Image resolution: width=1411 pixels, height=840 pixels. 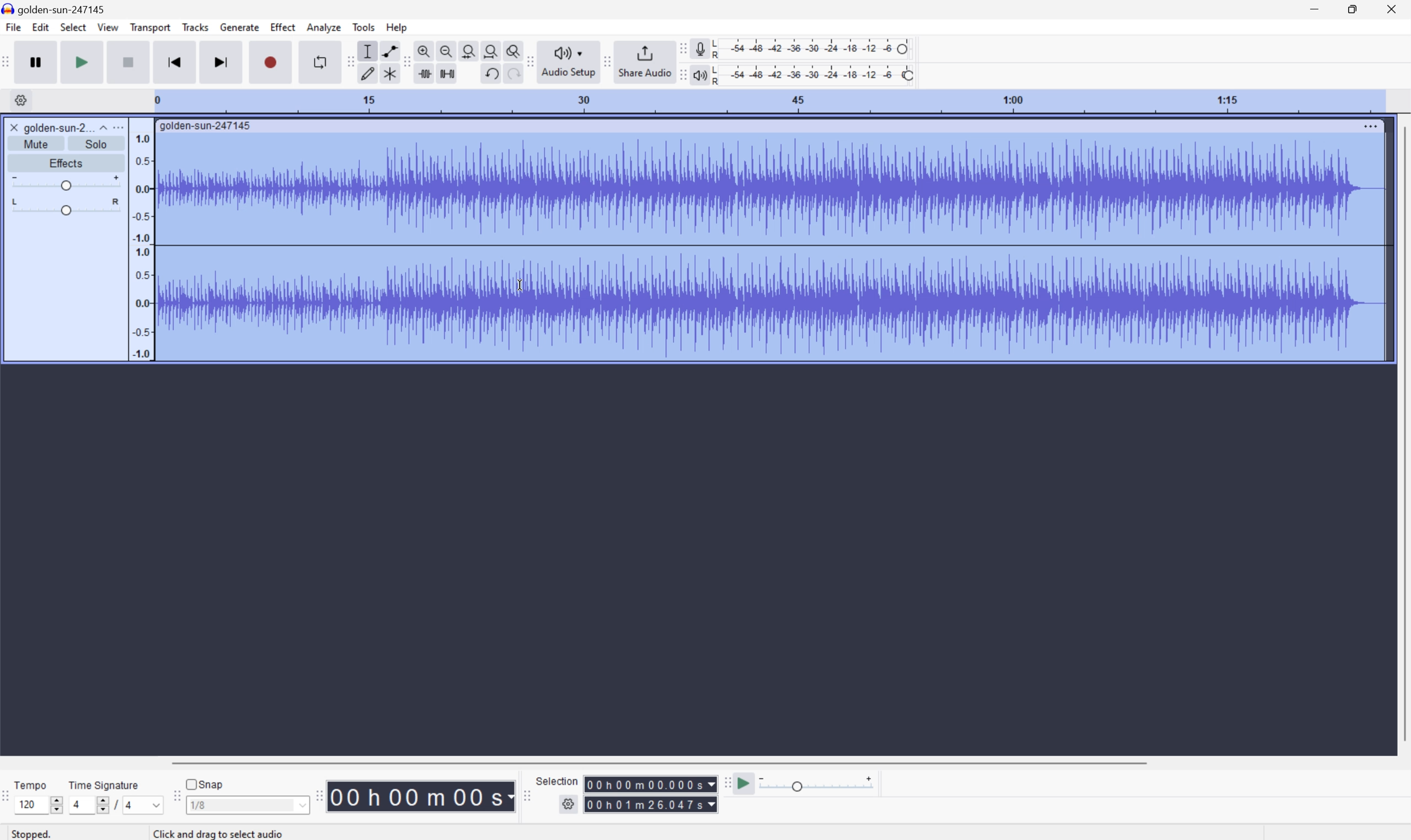 What do you see at coordinates (66, 207) in the screenshot?
I see `Slider` at bounding box center [66, 207].